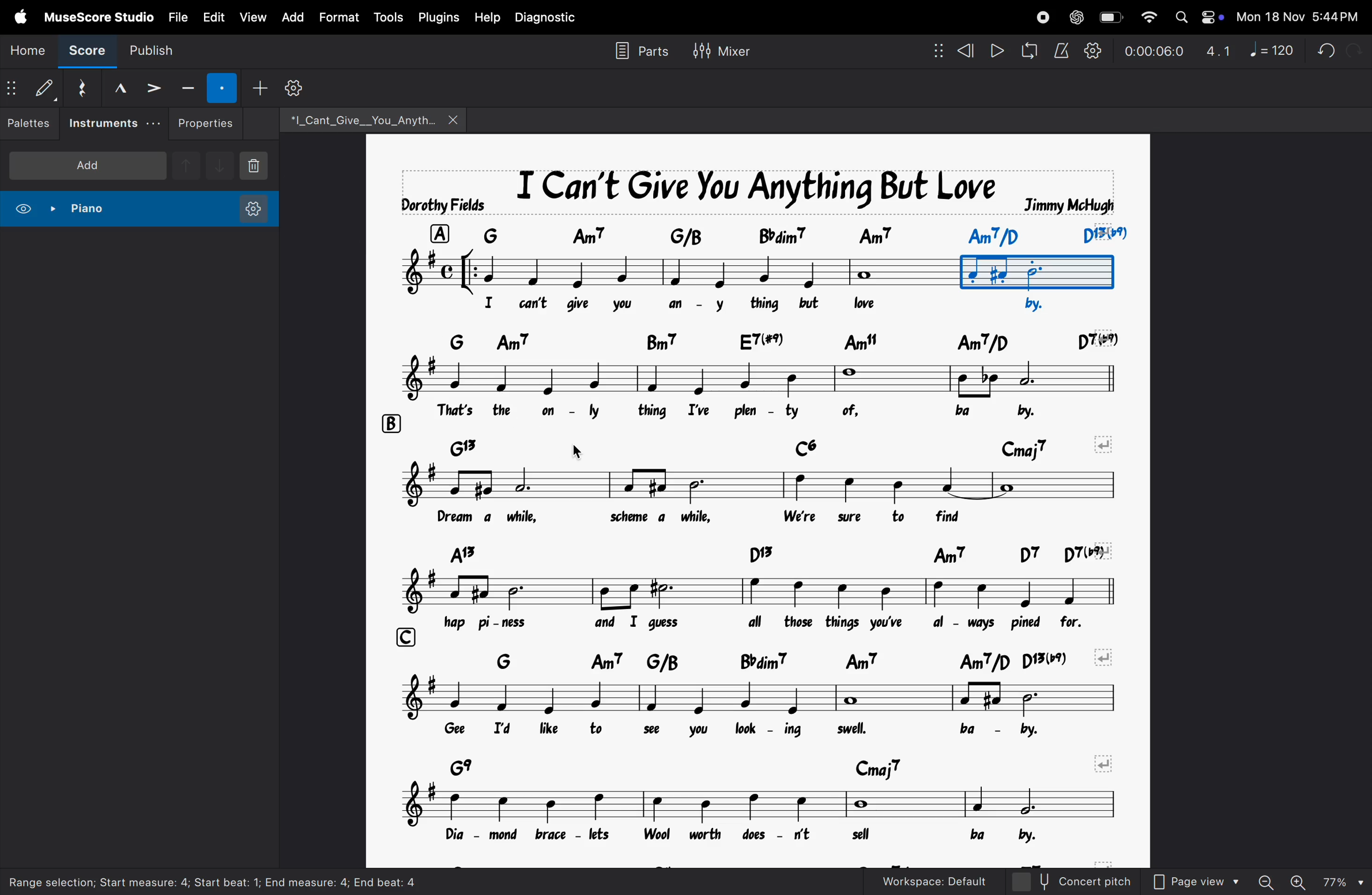 The height and width of the screenshot is (895, 1372). Describe the element at coordinates (771, 731) in the screenshot. I see `lyrics` at that location.